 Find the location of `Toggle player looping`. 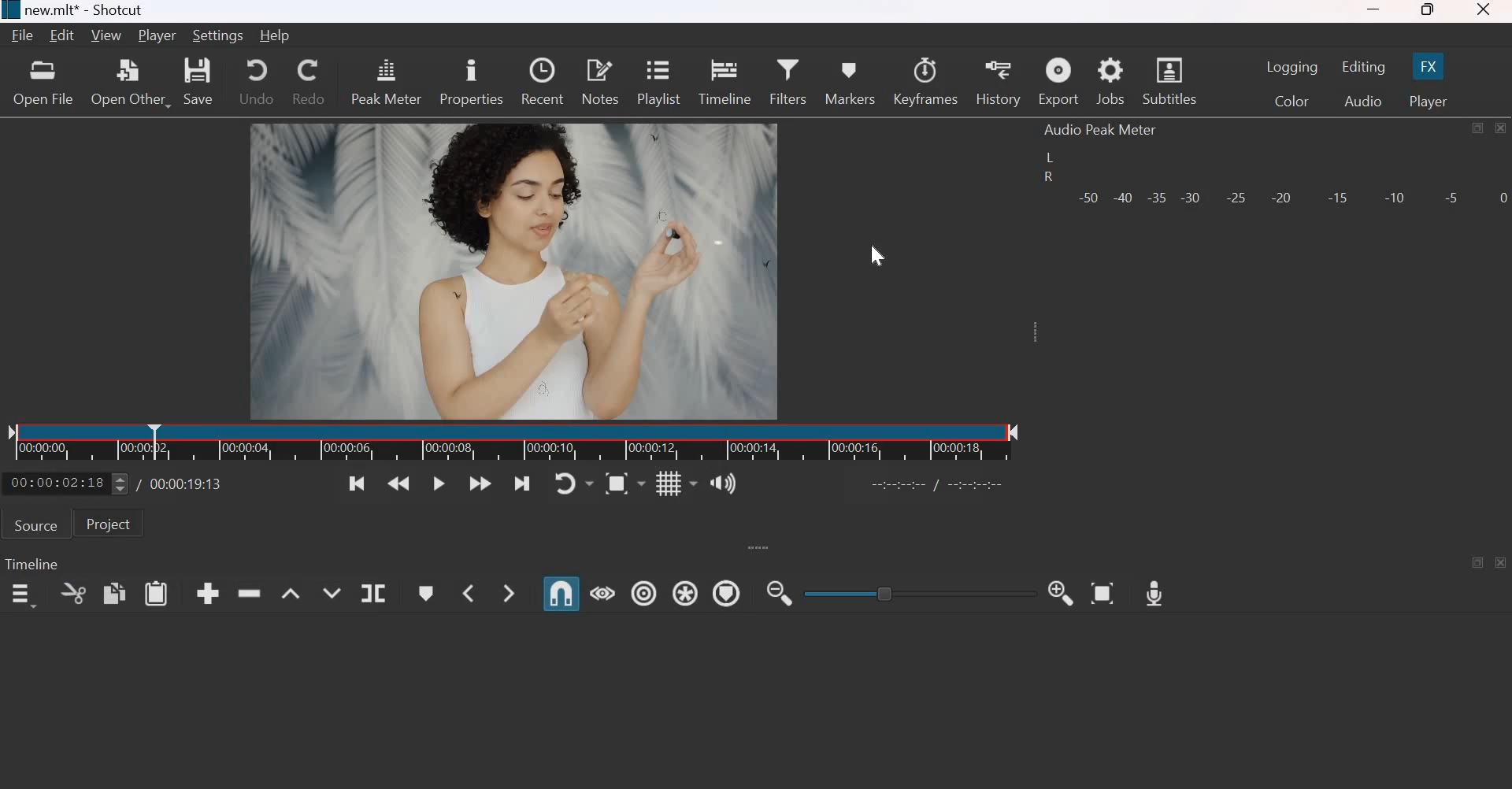

Toggle player looping is located at coordinates (573, 484).